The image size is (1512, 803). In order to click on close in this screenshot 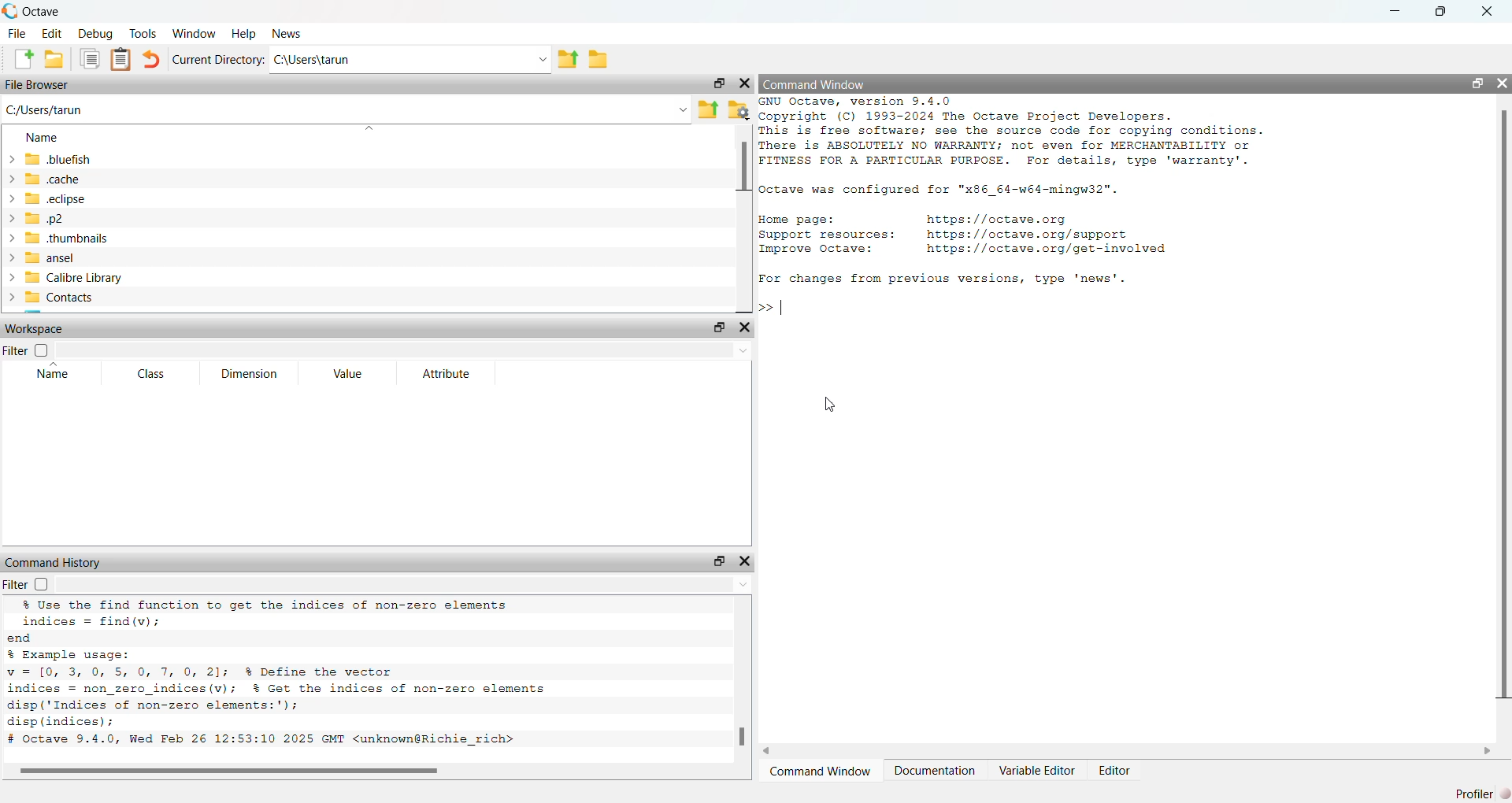, I will do `click(745, 86)`.